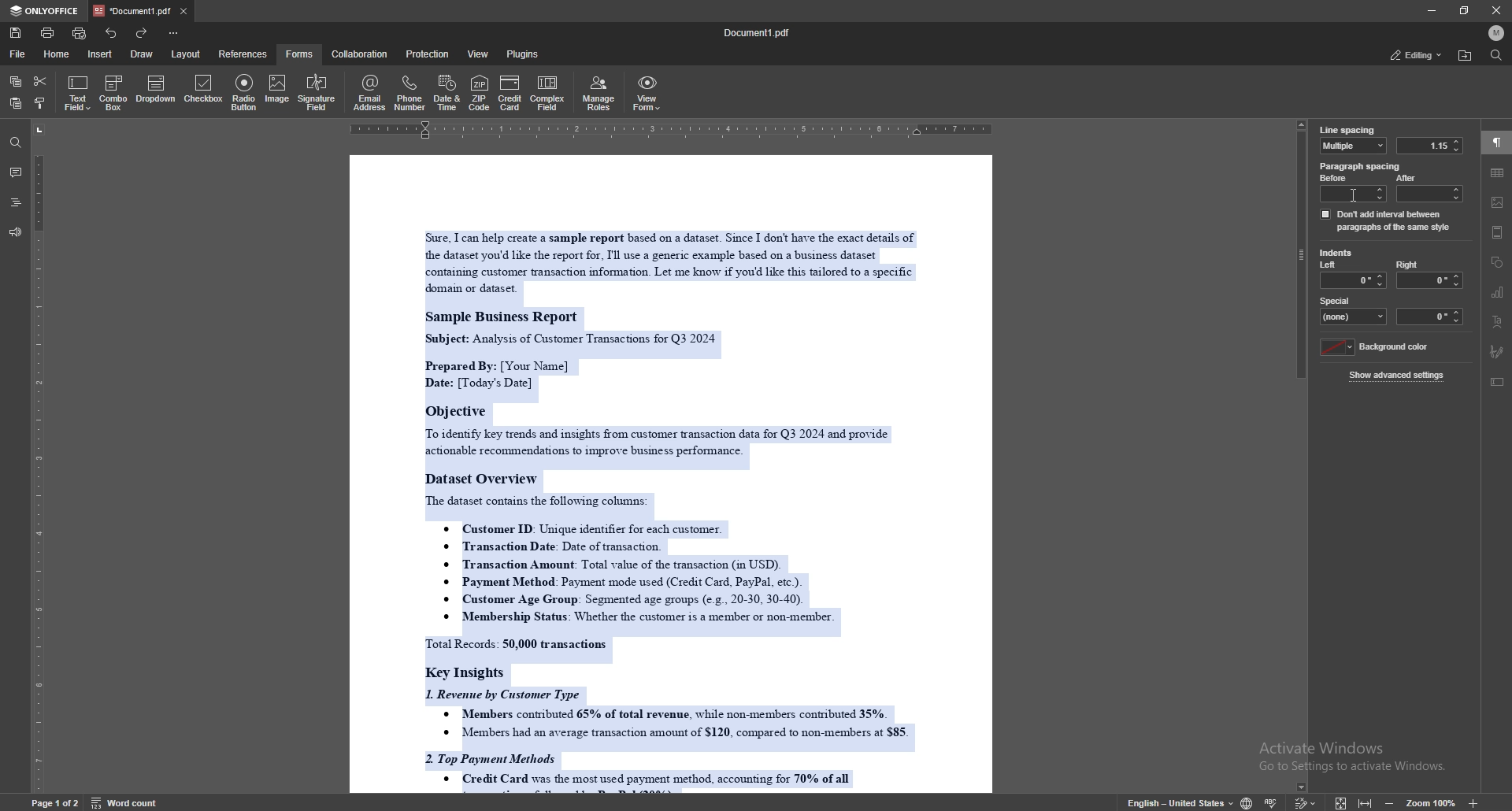  What do you see at coordinates (1498, 352) in the screenshot?
I see `signature field` at bounding box center [1498, 352].